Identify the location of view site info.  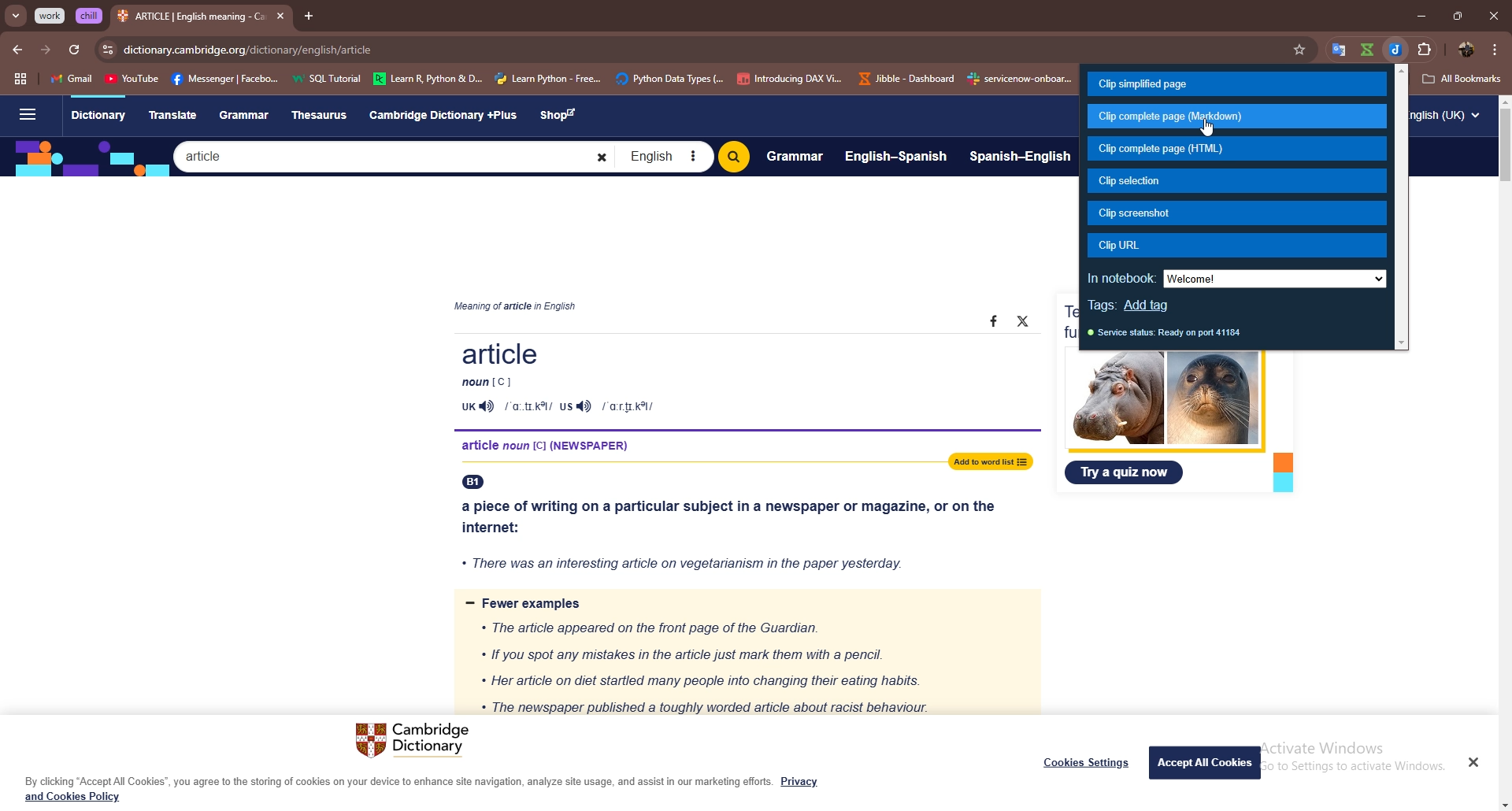
(108, 50).